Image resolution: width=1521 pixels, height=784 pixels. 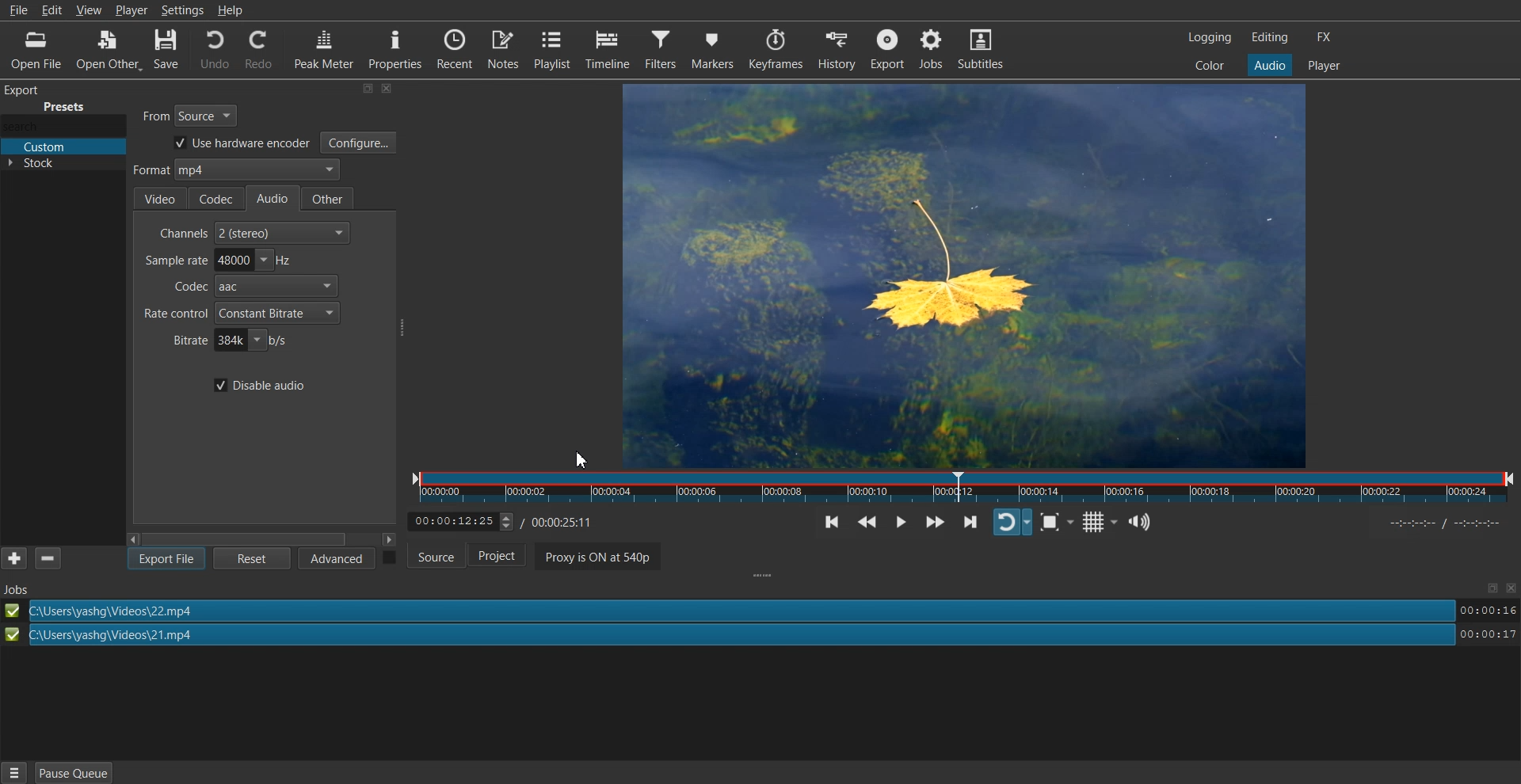 I want to click on Close, so click(x=388, y=89).